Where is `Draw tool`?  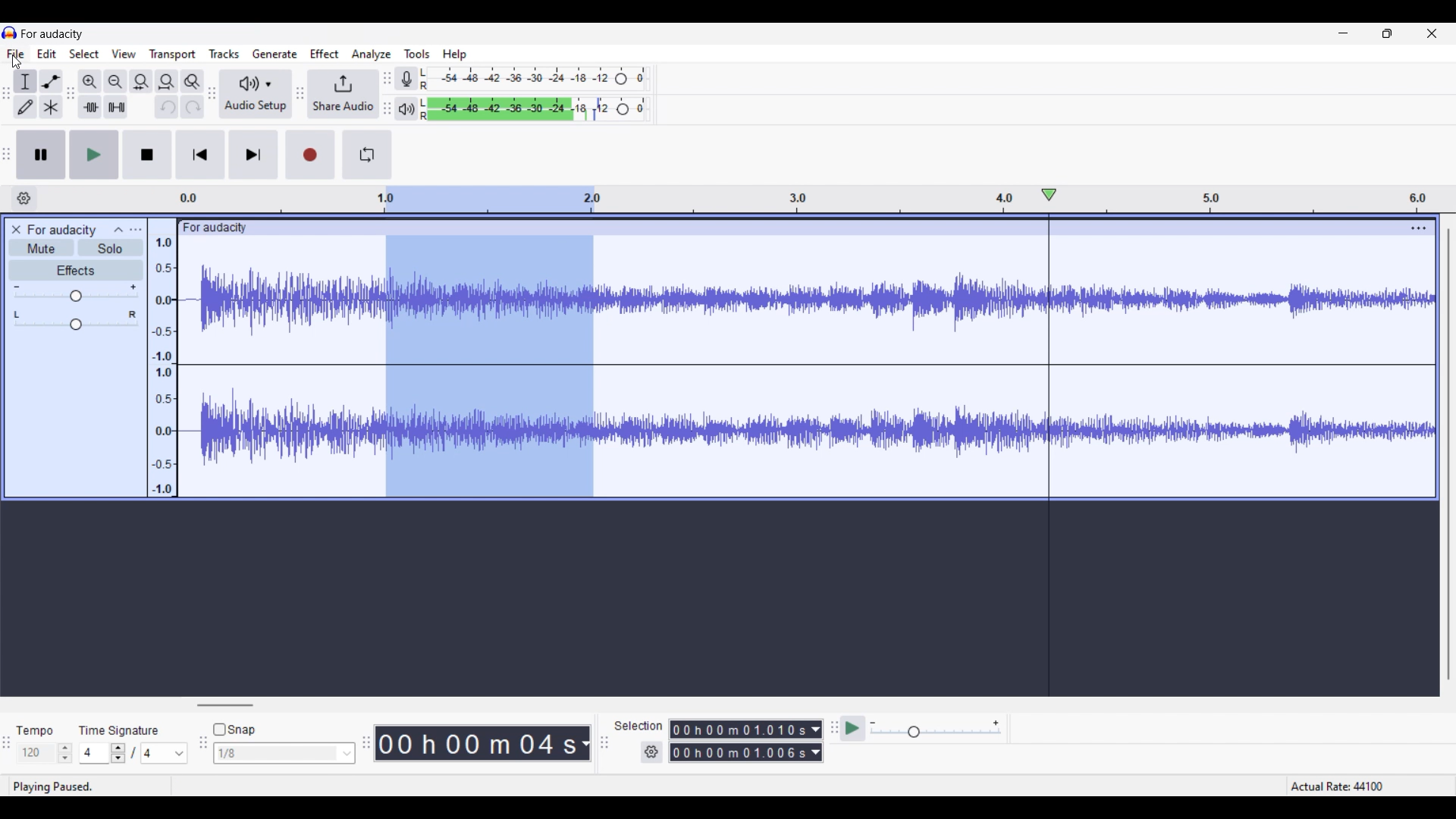
Draw tool is located at coordinates (26, 107).